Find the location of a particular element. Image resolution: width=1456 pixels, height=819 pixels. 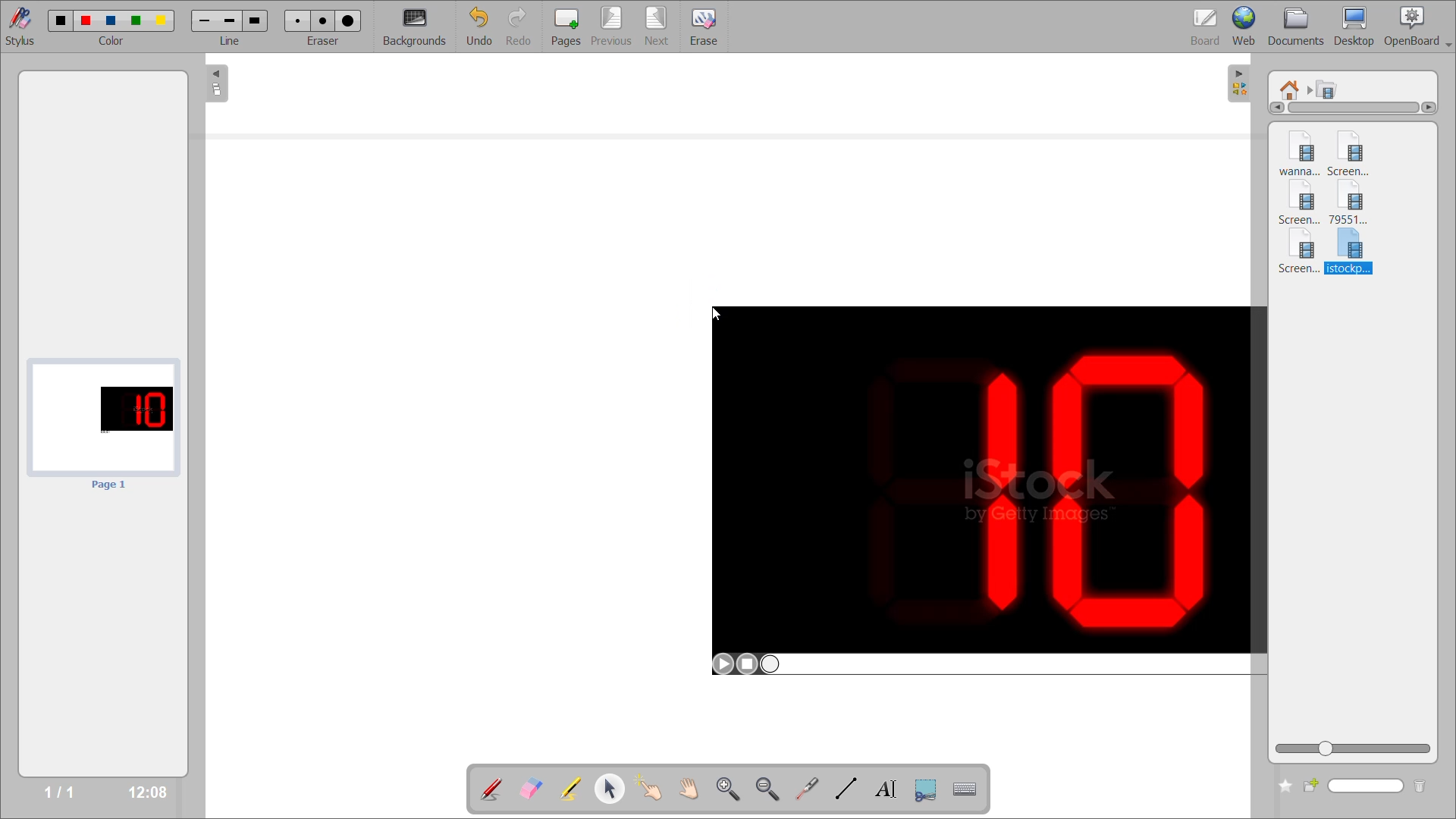

openboard is located at coordinates (1420, 24).